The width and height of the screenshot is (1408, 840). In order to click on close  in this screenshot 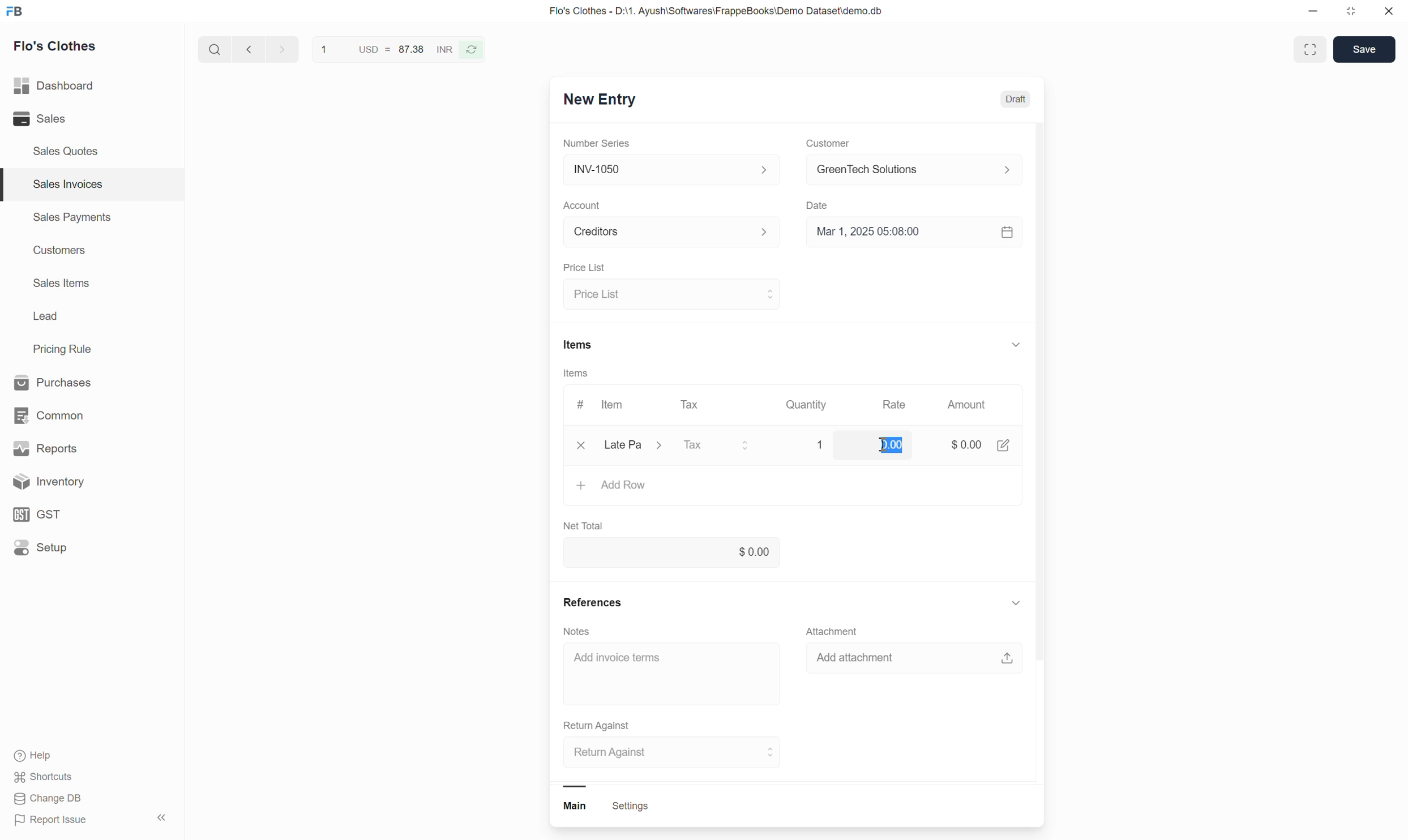, I will do `click(1390, 12)`.